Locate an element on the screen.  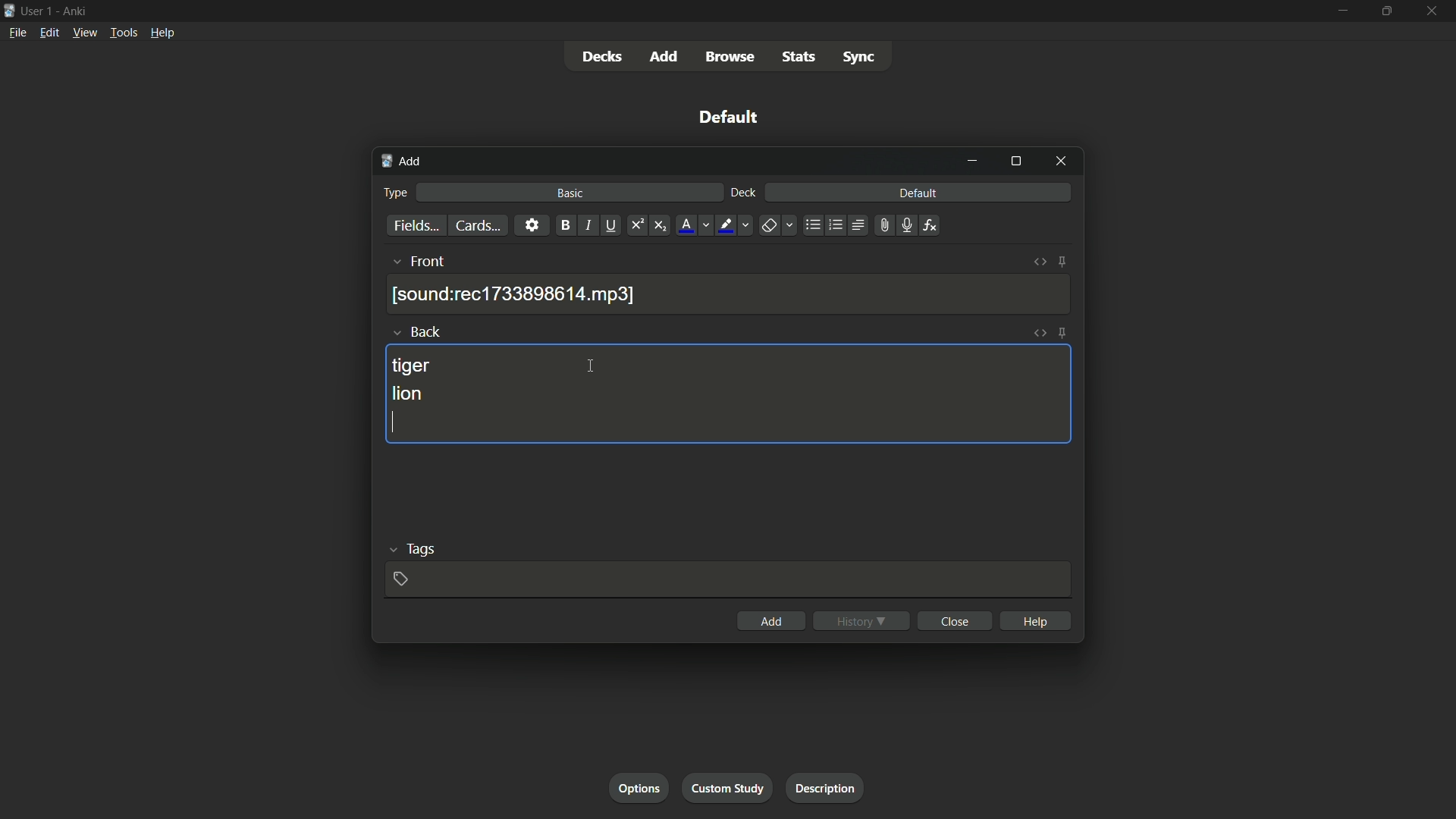
cursor is located at coordinates (392, 424).